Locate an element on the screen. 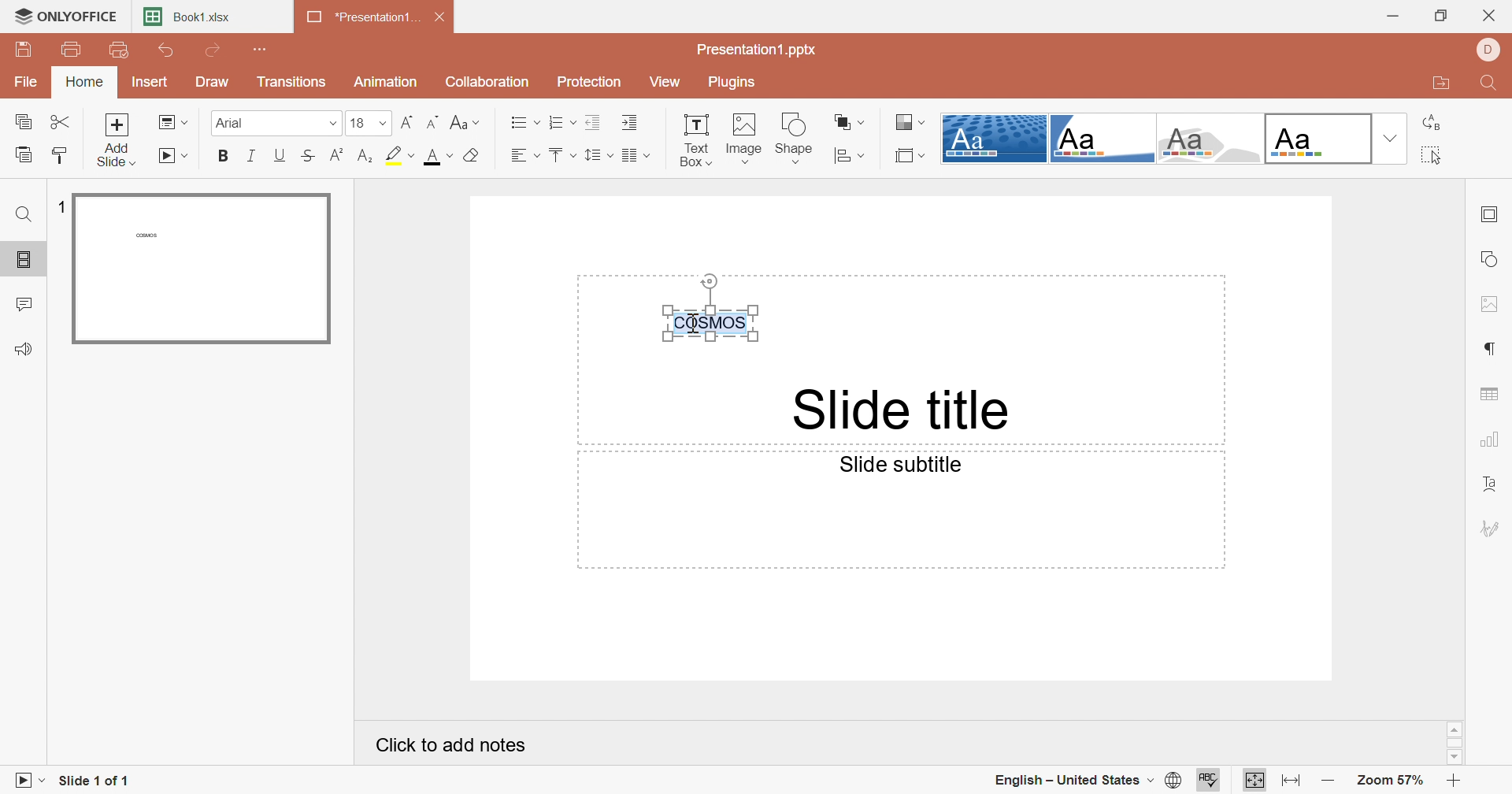 The height and width of the screenshot is (794, 1512). Side subtitle is located at coordinates (897, 463).